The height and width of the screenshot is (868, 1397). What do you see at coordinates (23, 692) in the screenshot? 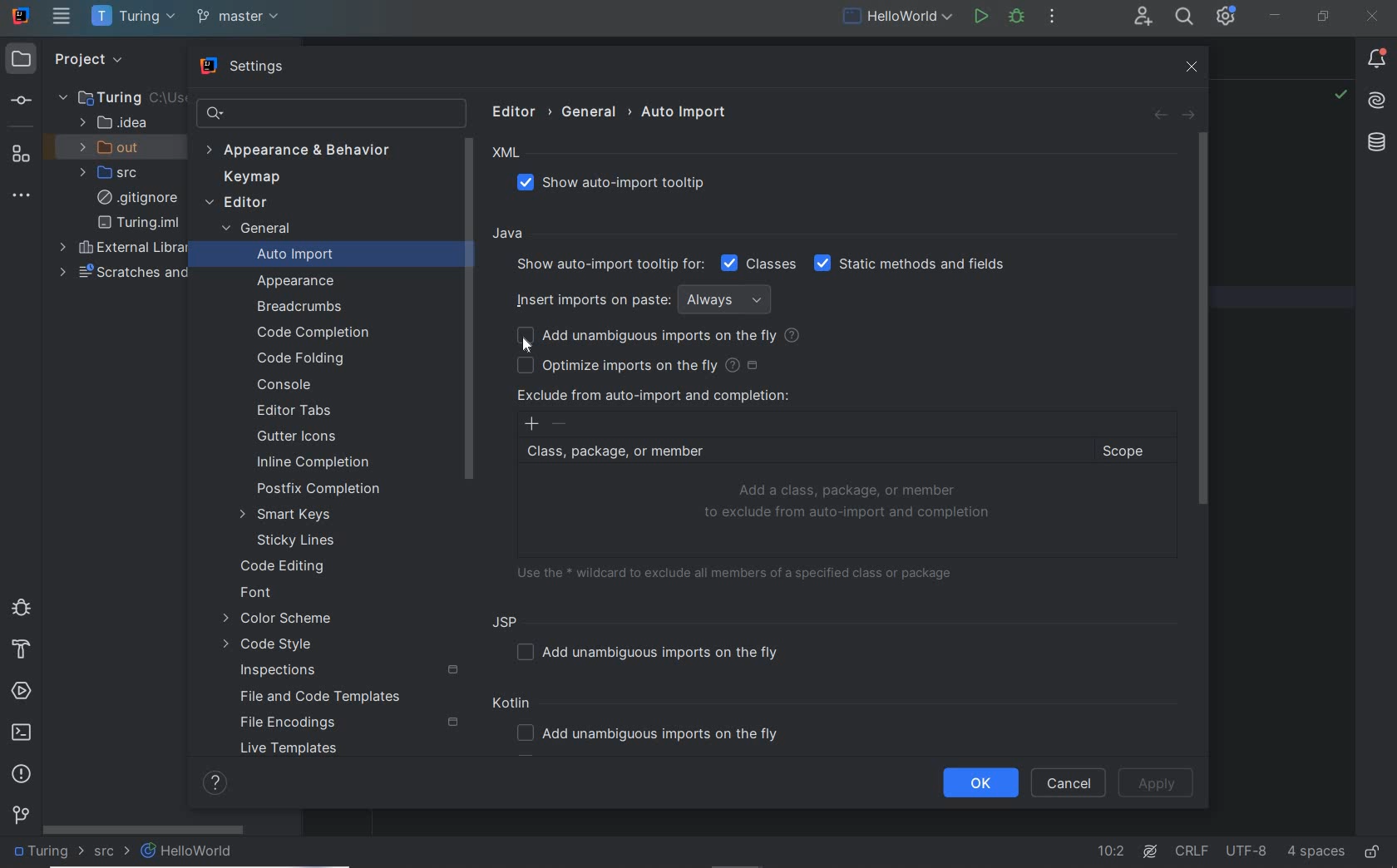
I see `services` at bounding box center [23, 692].